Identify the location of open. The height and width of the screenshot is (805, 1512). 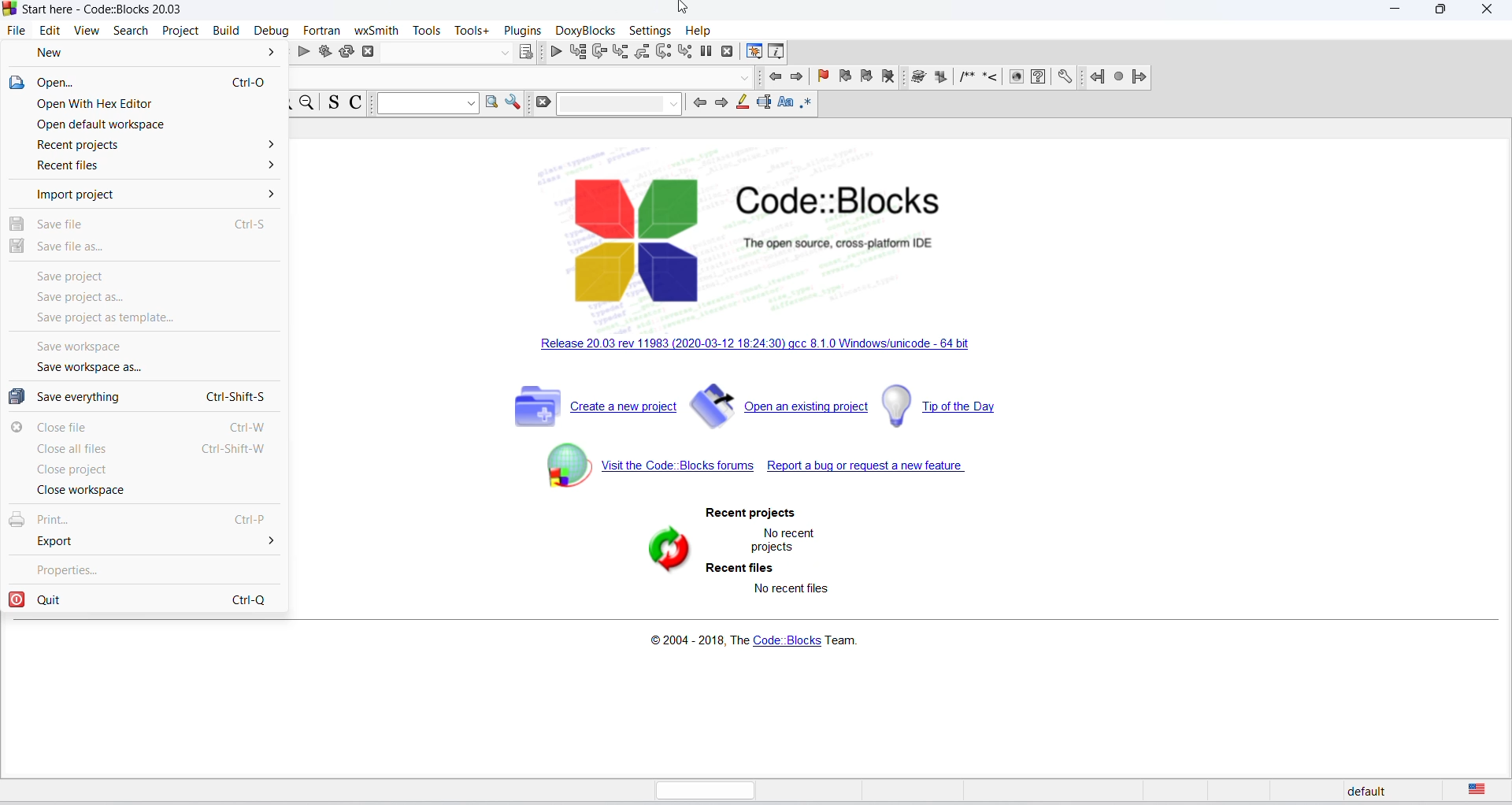
(141, 82).